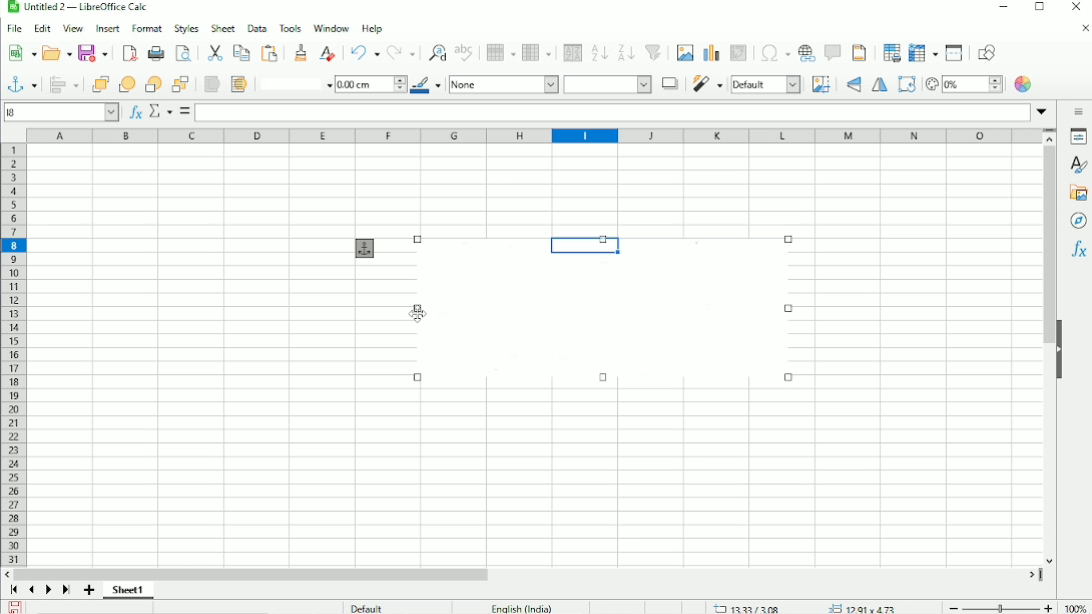 The width and height of the screenshot is (1092, 614). What do you see at coordinates (832, 52) in the screenshot?
I see `Insert comment` at bounding box center [832, 52].